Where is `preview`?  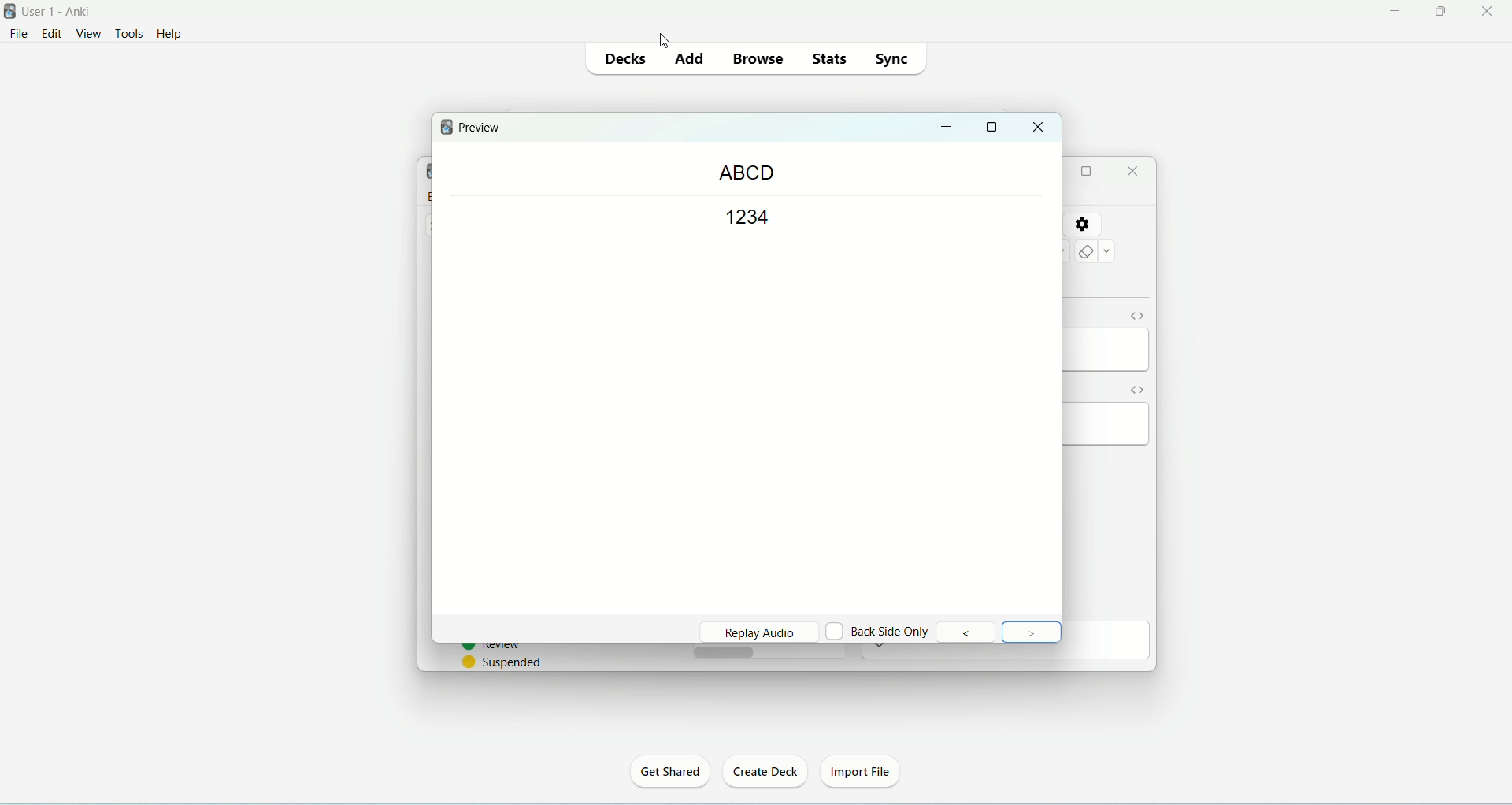
preview is located at coordinates (481, 128).